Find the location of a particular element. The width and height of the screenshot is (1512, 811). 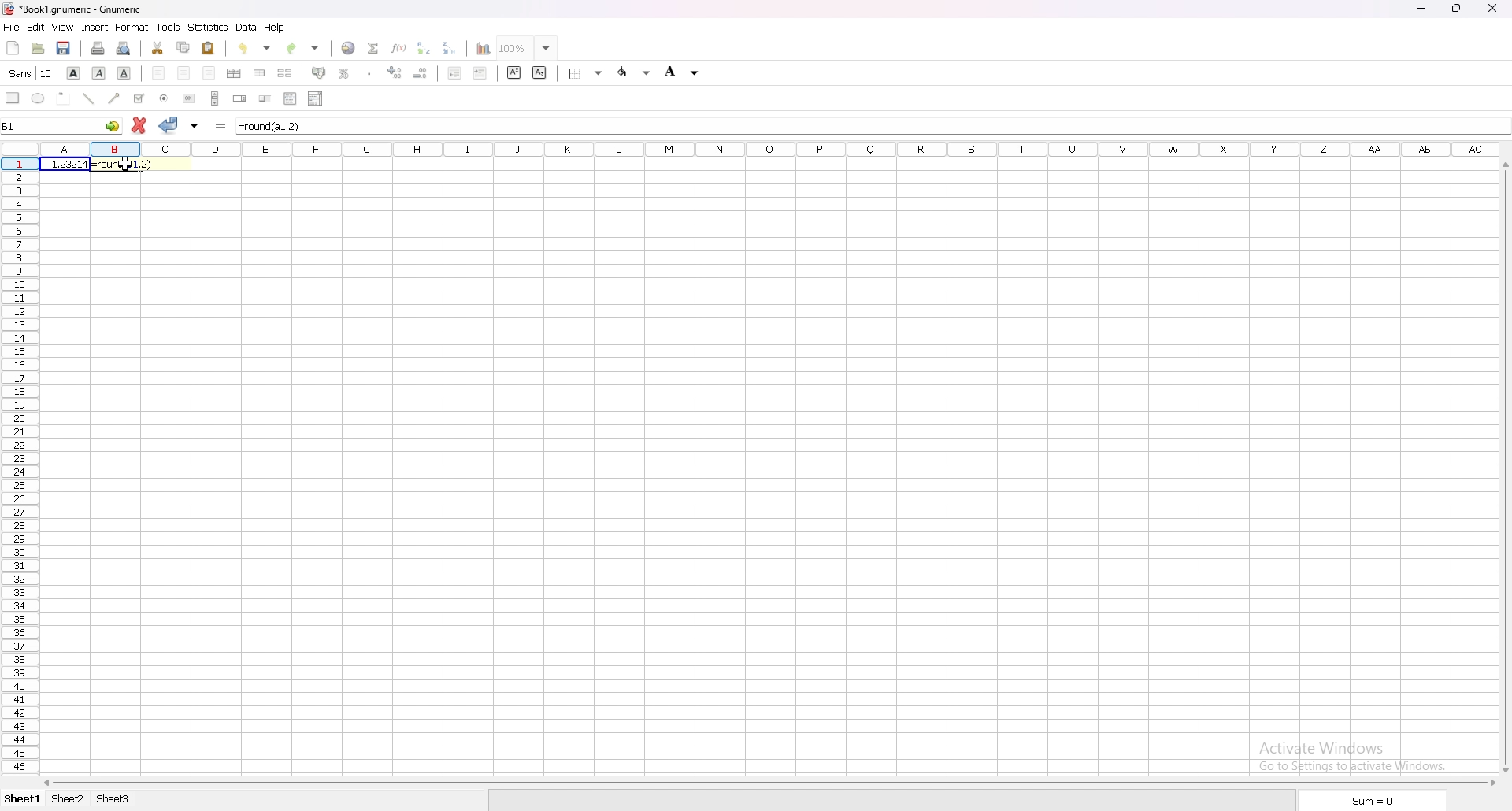

subscript is located at coordinates (539, 72).